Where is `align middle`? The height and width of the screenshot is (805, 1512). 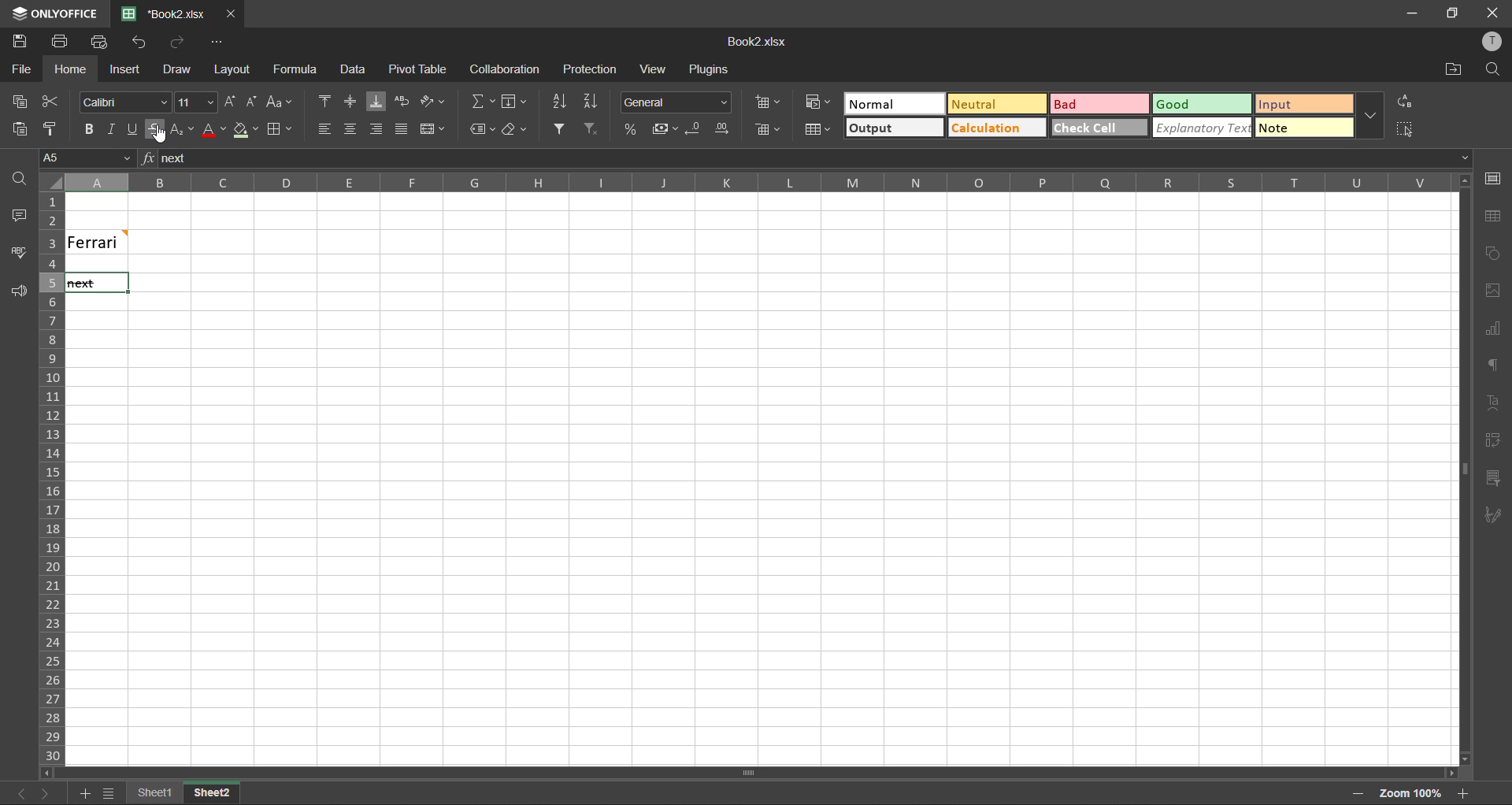 align middle is located at coordinates (350, 129).